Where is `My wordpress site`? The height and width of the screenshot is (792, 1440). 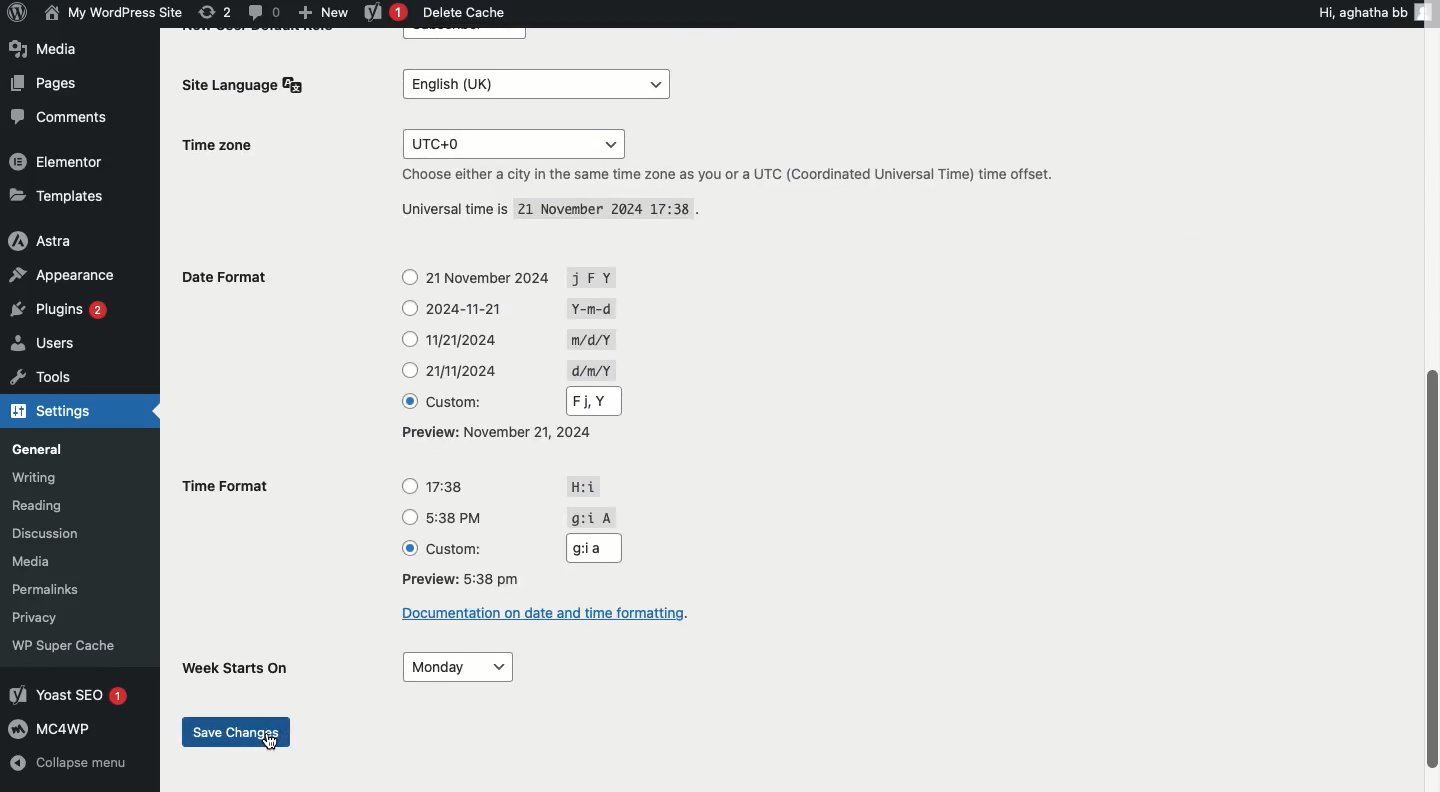
My wordpress site is located at coordinates (111, 12).